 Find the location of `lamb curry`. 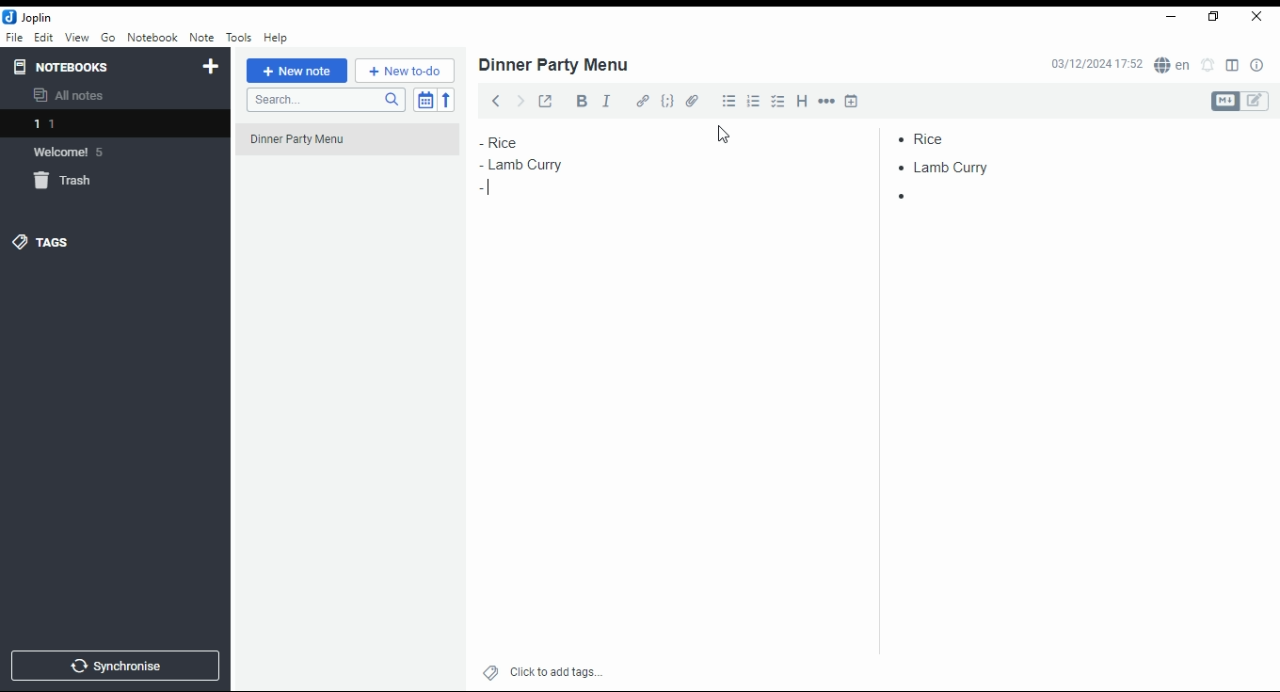

lamb curry is located at coordinates (521, 165).